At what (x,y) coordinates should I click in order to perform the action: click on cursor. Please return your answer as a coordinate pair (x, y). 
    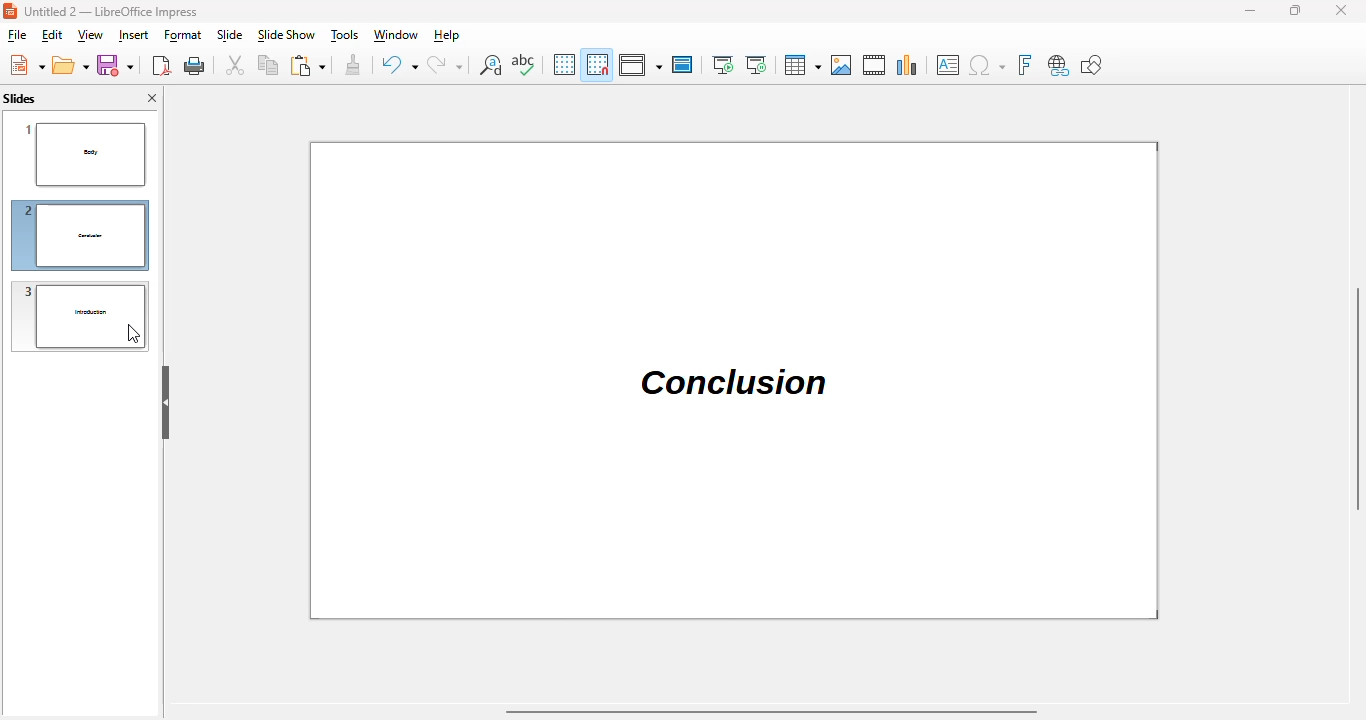
    Looking at the image, I should click on (133, 334).